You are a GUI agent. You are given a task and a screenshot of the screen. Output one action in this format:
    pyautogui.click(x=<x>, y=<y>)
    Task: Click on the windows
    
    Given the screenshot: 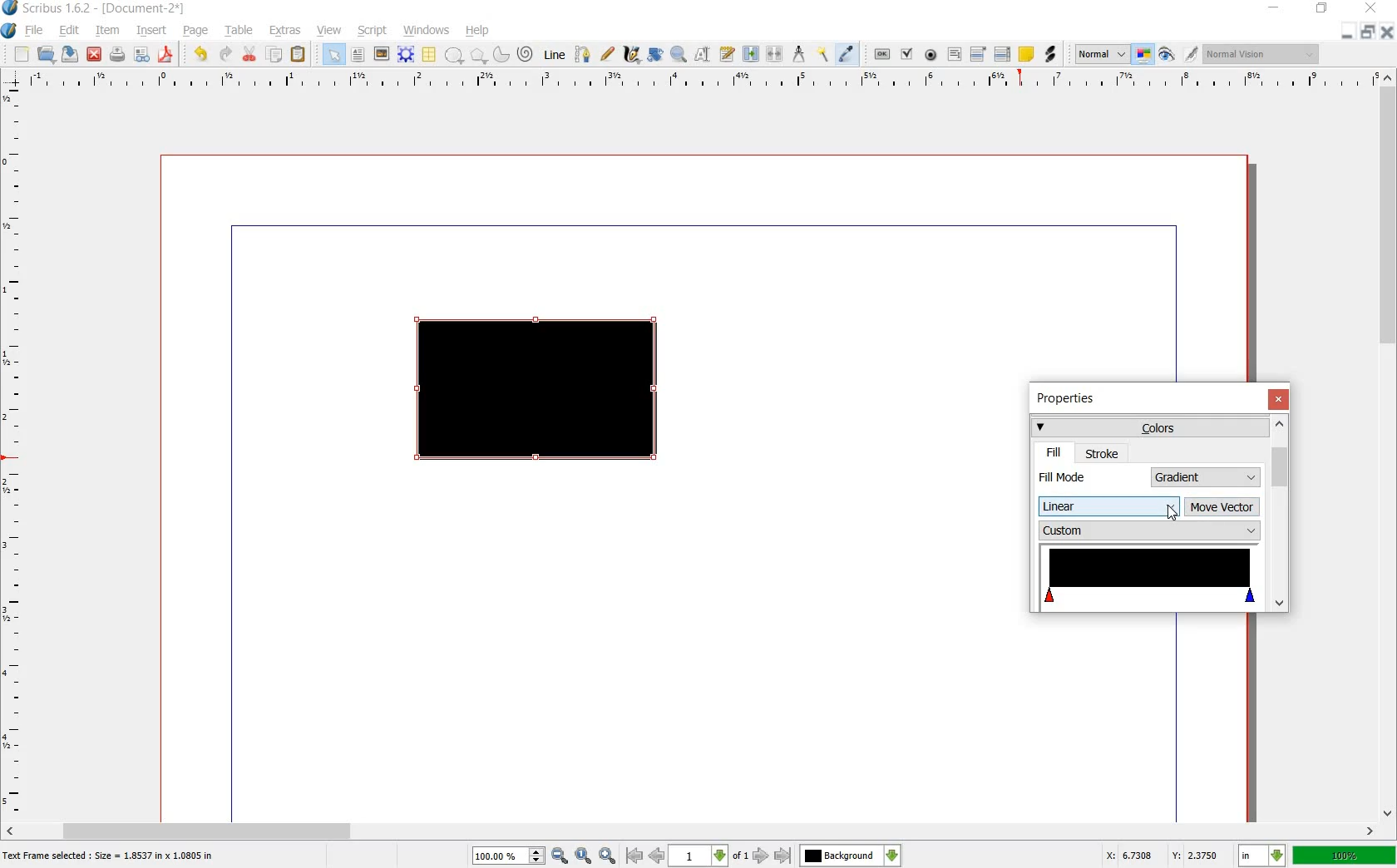 What is the action you would take?
    pyautogui.click(x=426, y=31)
    